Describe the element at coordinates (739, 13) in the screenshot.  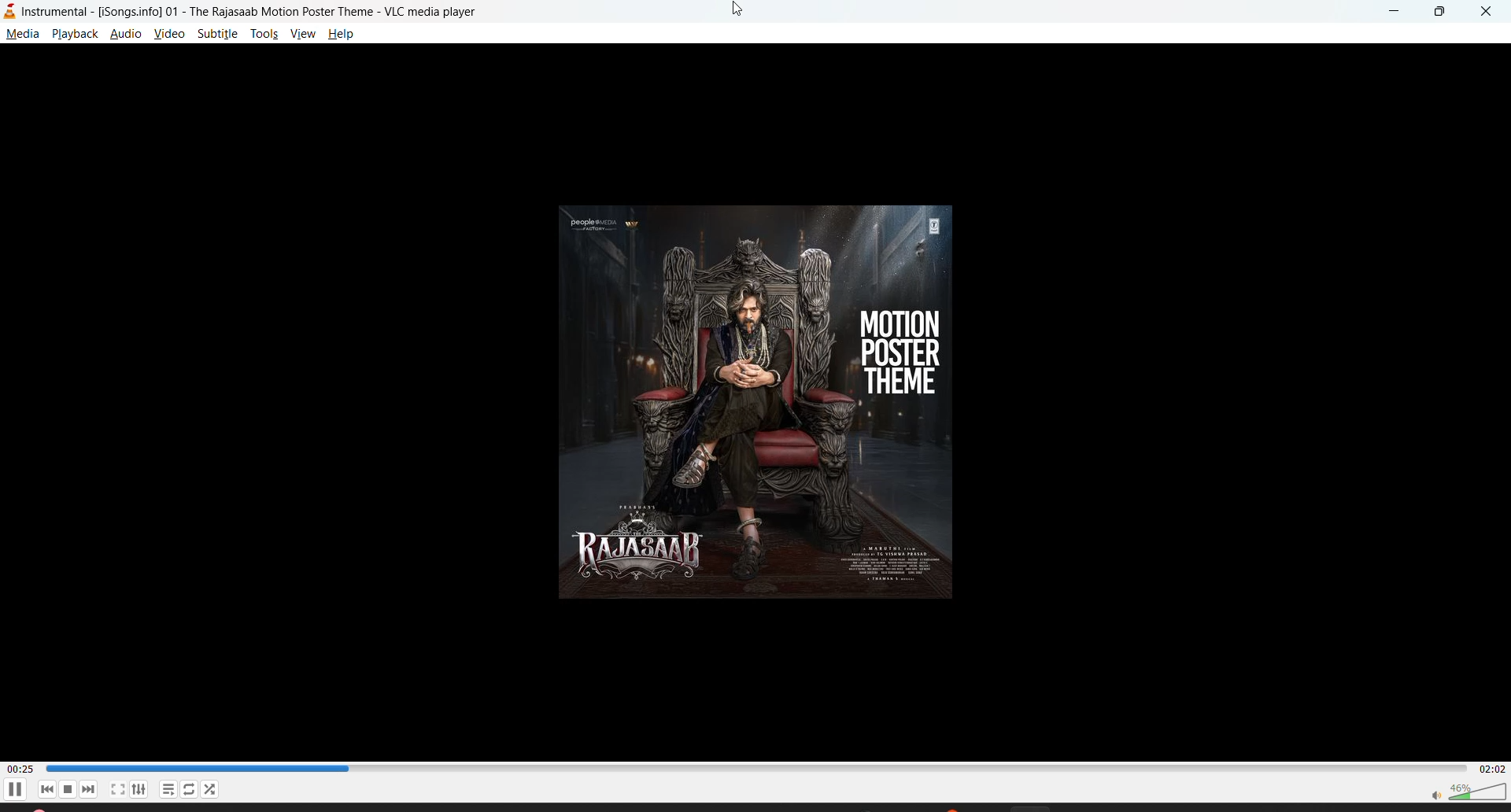
I see `cursor` at that location.